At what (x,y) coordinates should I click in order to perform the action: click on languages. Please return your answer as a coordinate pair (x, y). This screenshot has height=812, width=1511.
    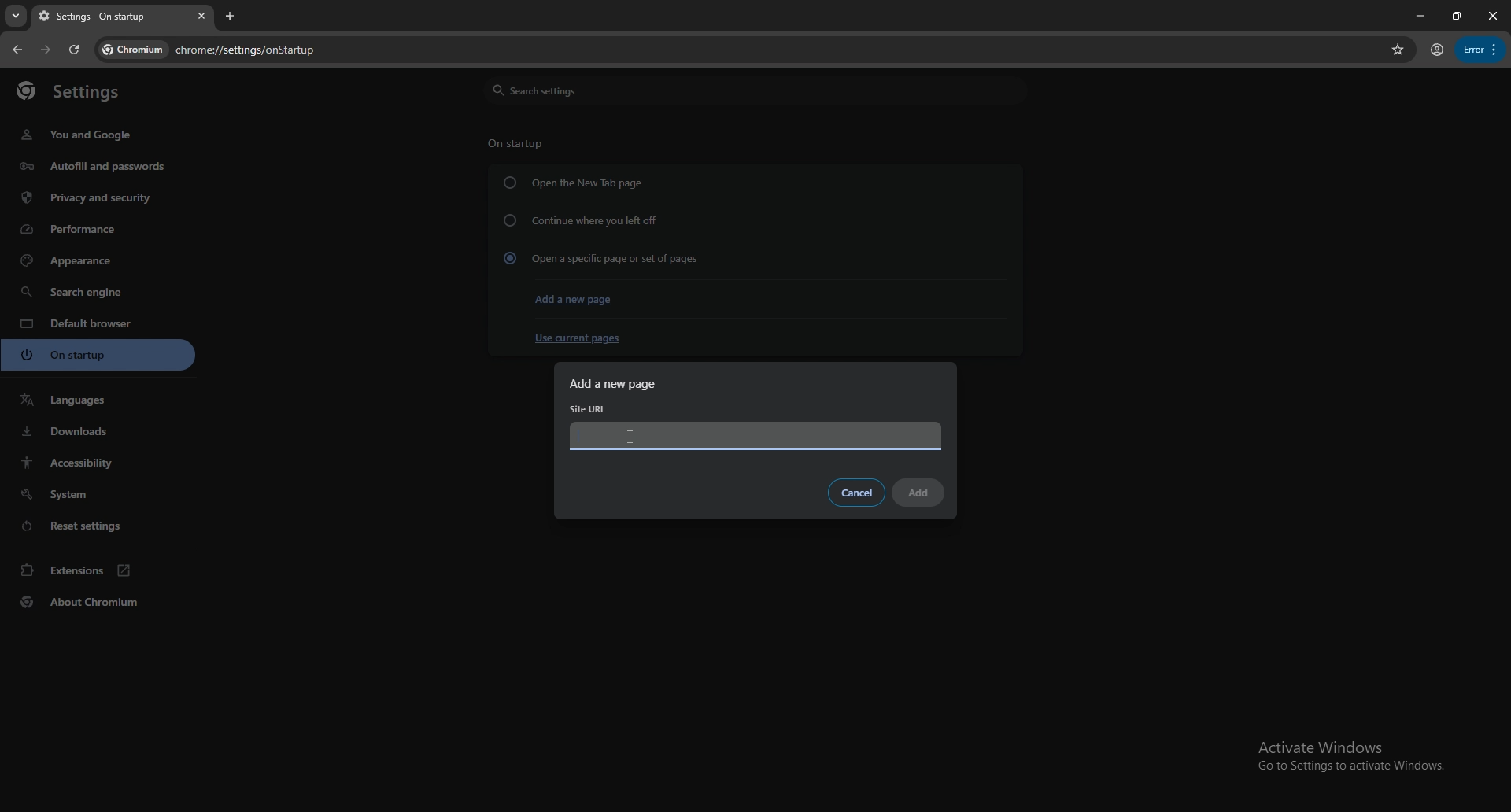
    Looking at the image, I should click on (98, 400).